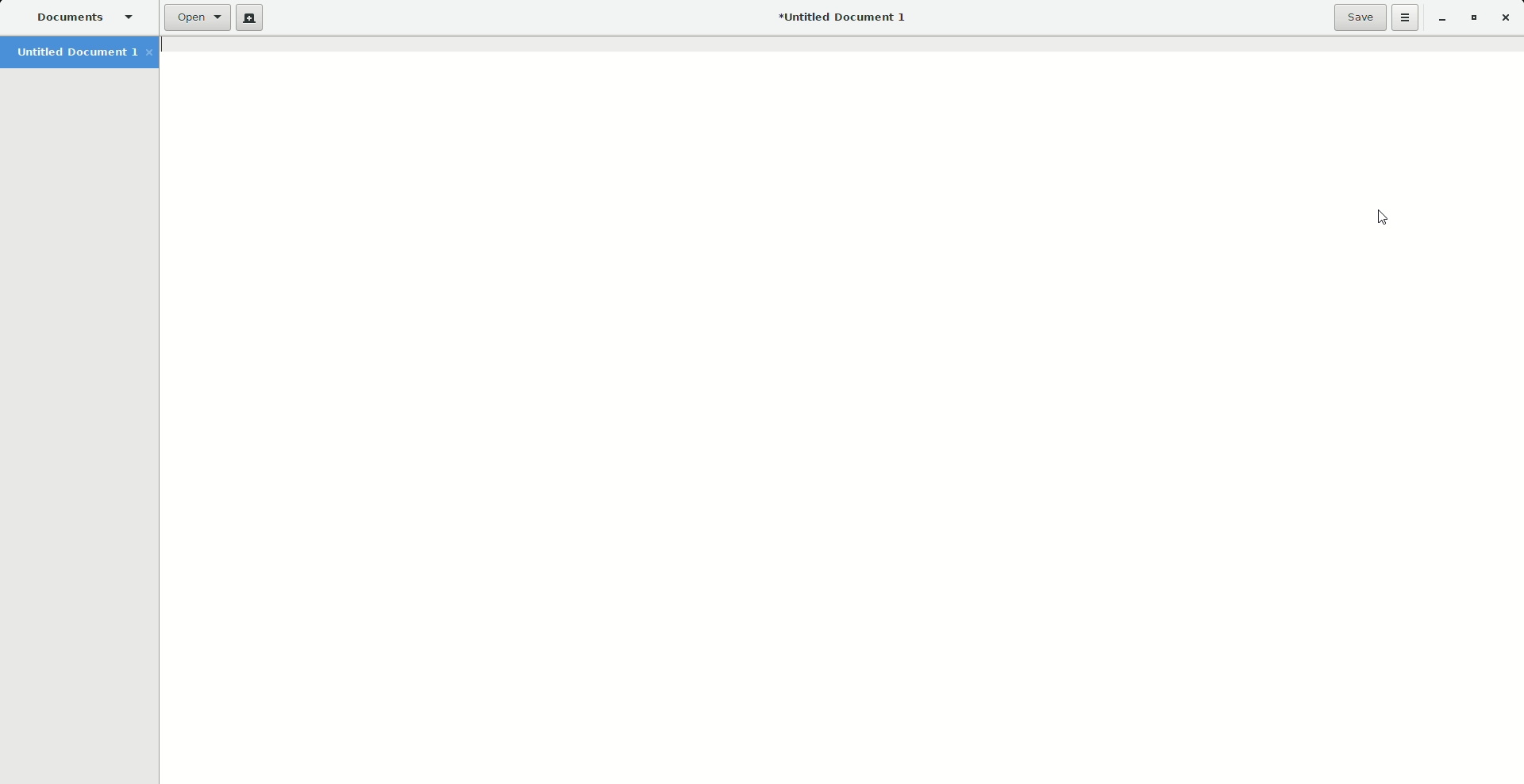  I want to click on Cursor, so click(1377, 216).